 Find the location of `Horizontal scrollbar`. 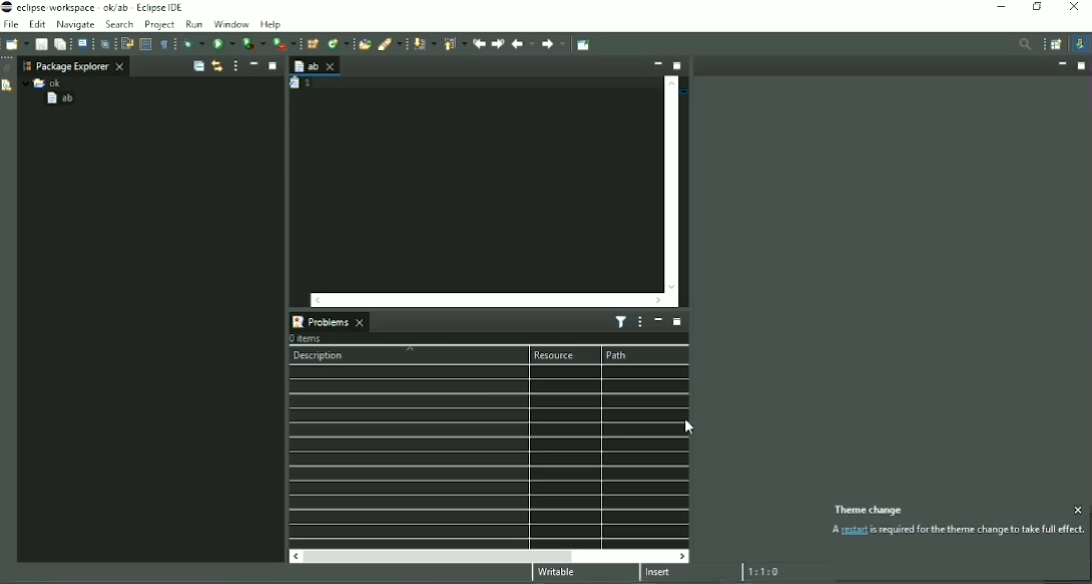

Horizontal scrollbar is located at coordinates (493, 557).